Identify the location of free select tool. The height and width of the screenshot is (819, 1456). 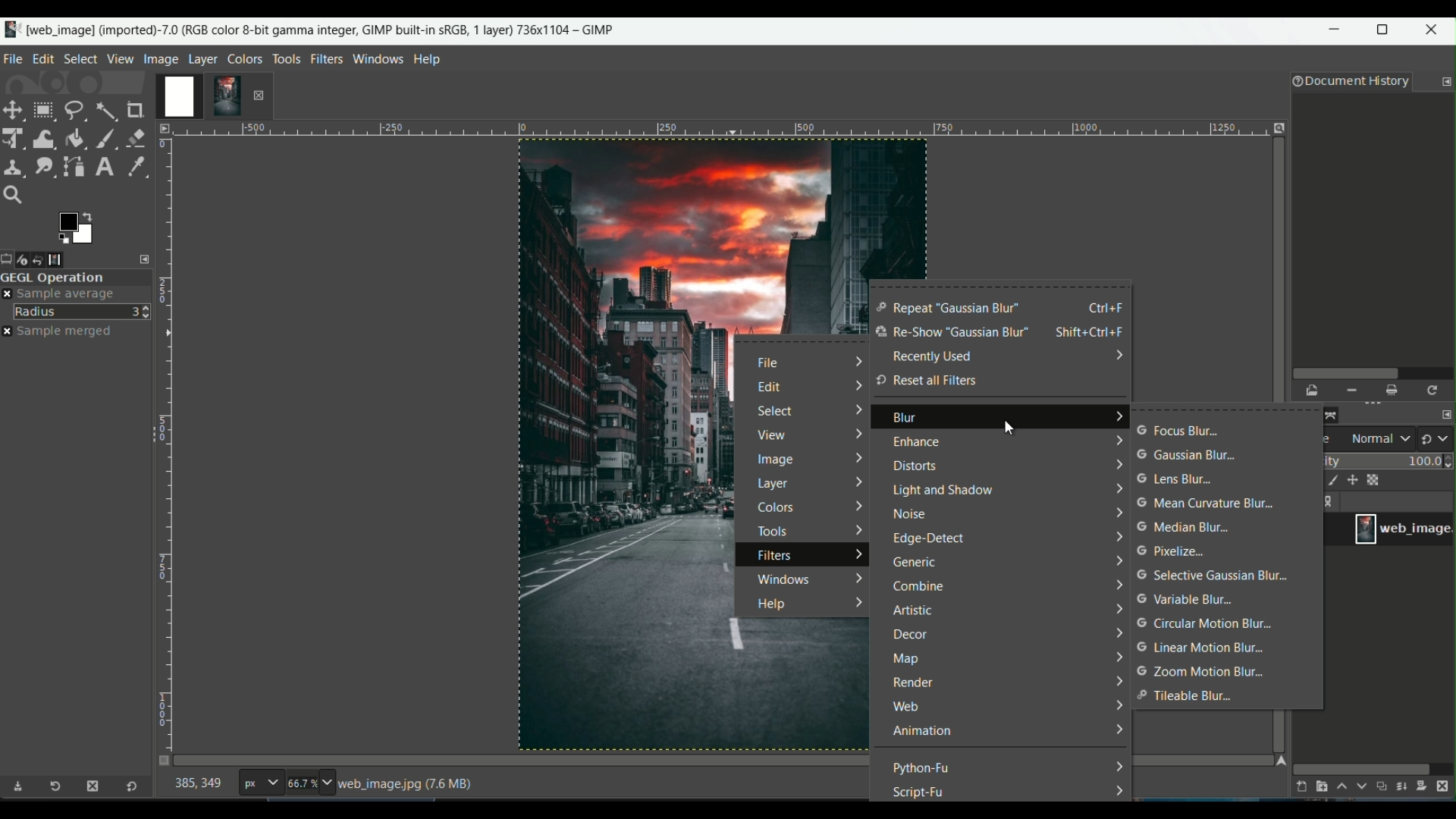
(74, 108).